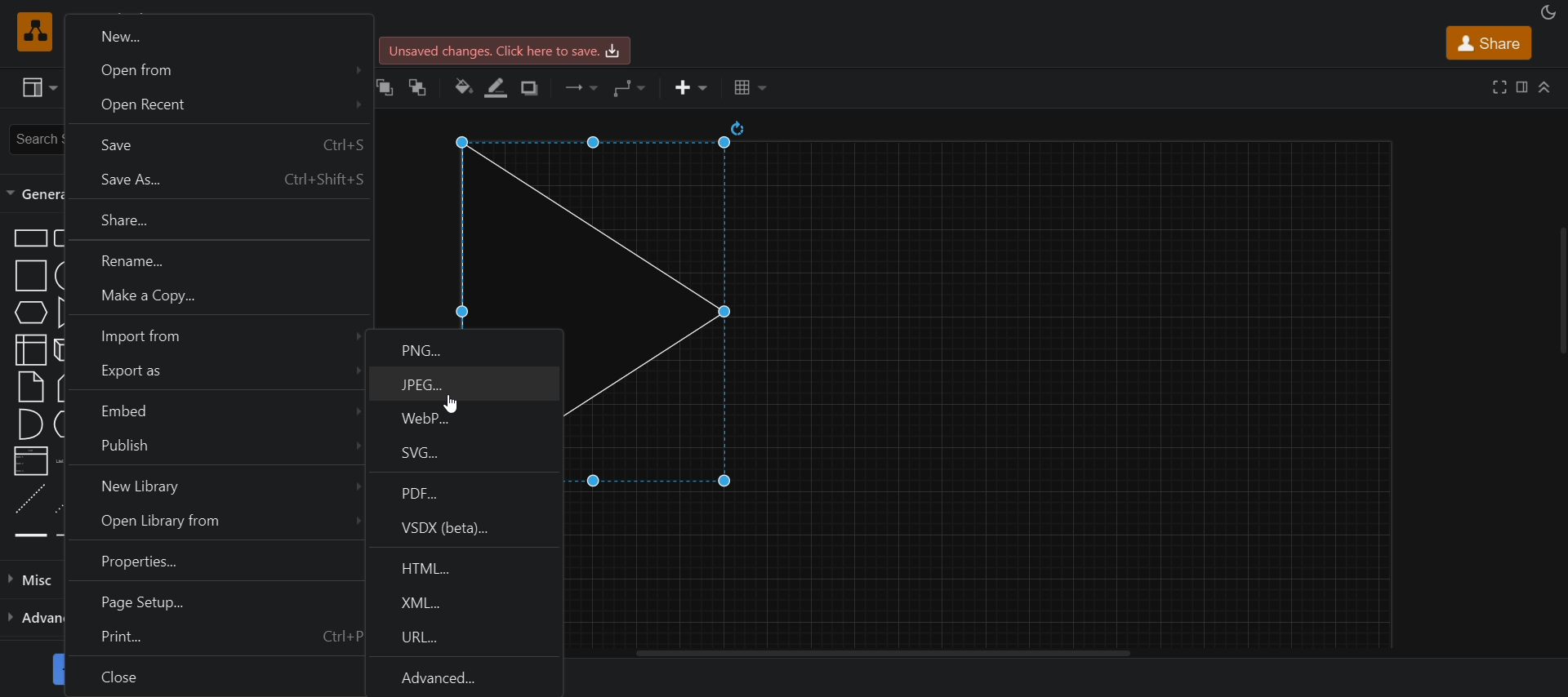 The image size is (1568, 697). Describe the element at coordinates (216, 300) in the screenshot. I see `make a copy` at that location.